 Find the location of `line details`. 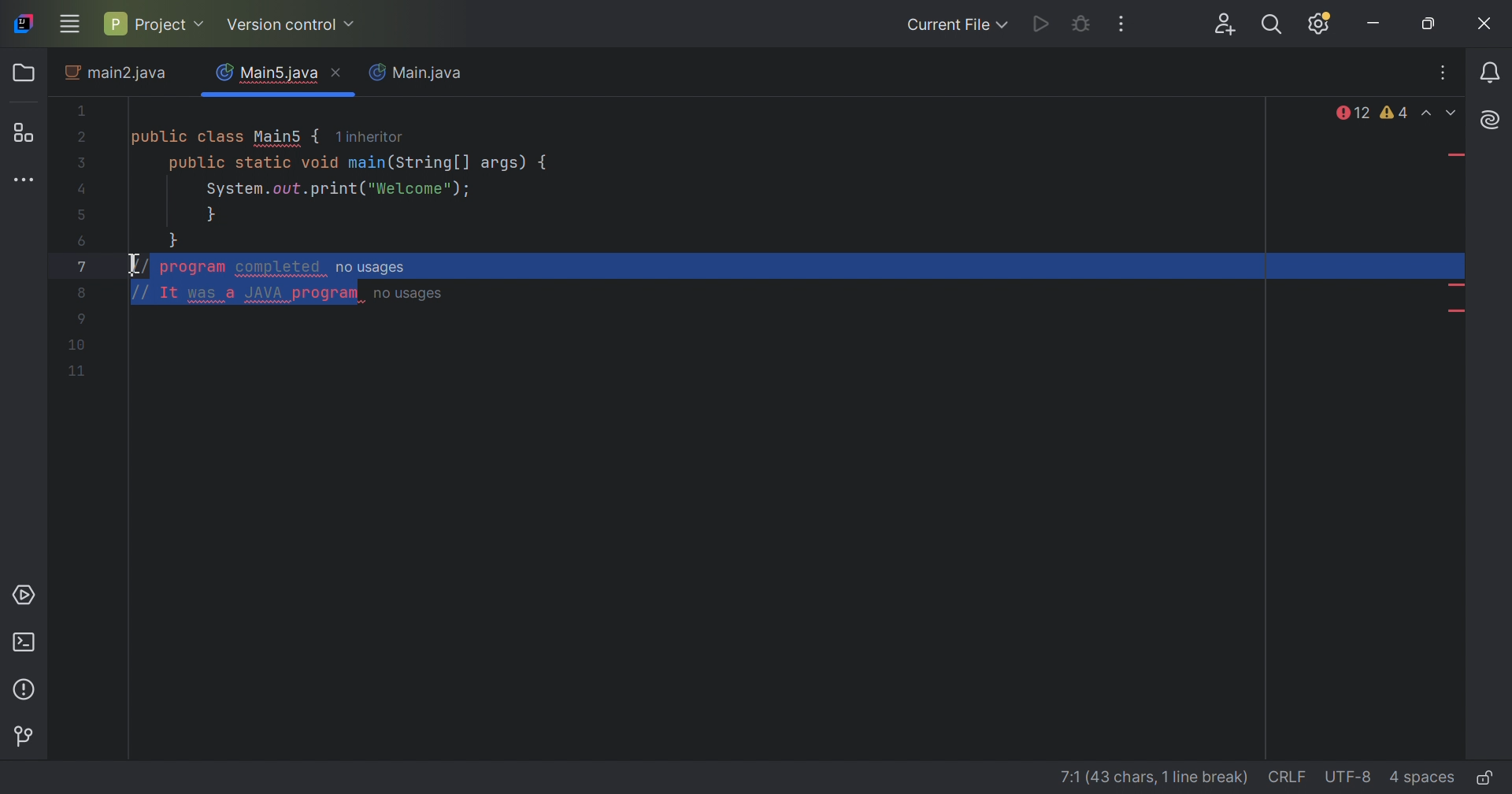

line details is located at coordinates (1141, 774).